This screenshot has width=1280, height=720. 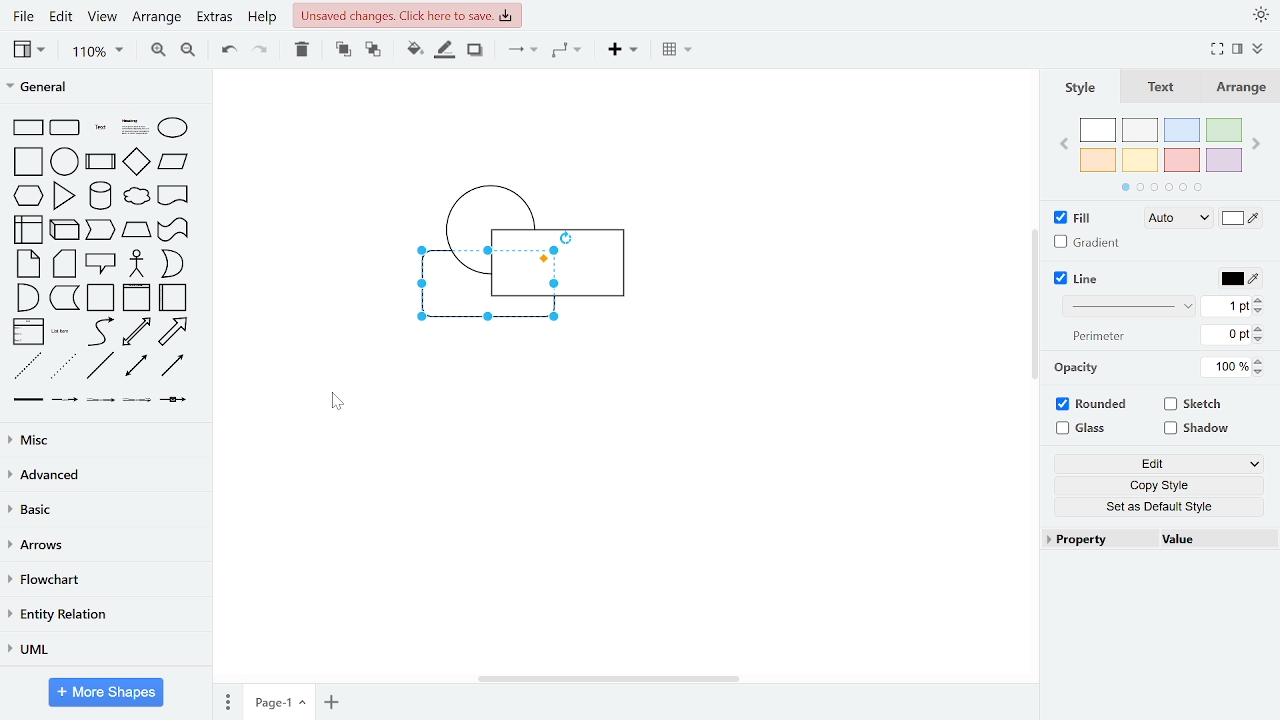 What do you see at coordinates (1259, 361) in the screenshot?
I see `increase opacity` at bounding box center [1259, 361].